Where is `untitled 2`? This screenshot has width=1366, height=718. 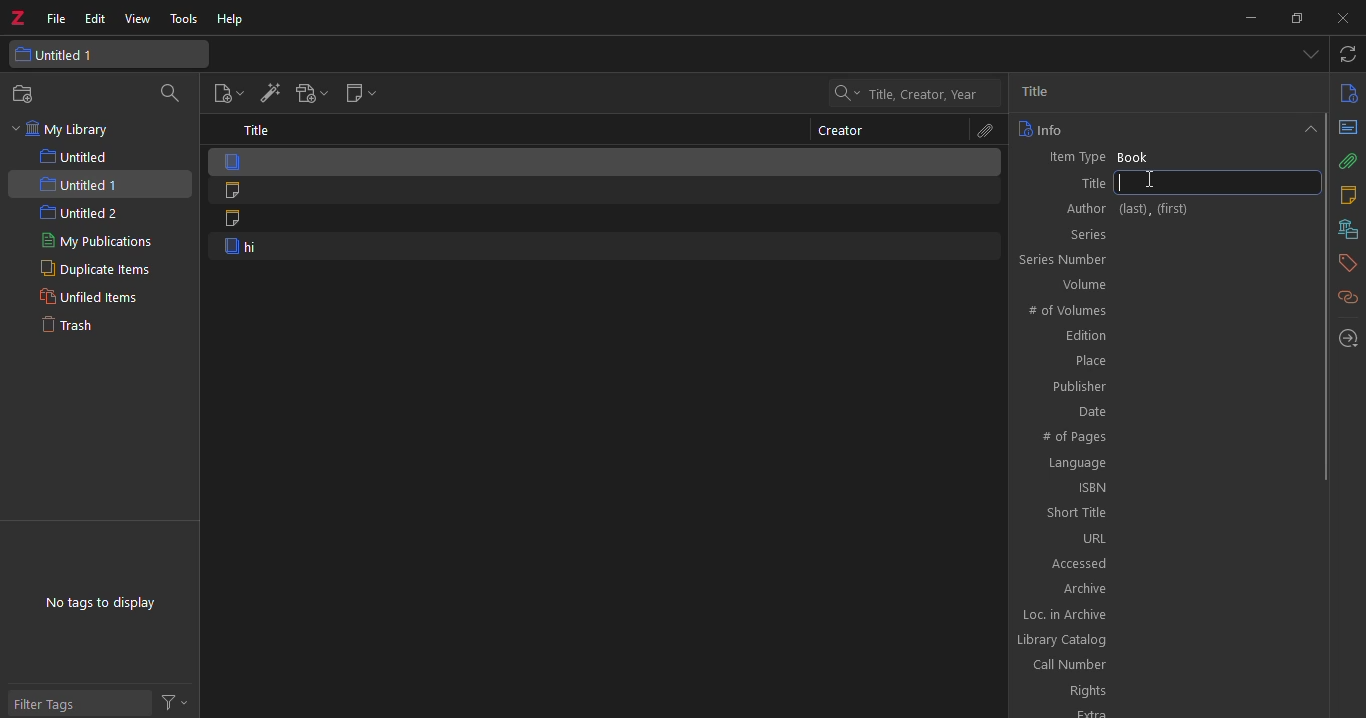 untitled 2 is located at coordinates (79, 214).